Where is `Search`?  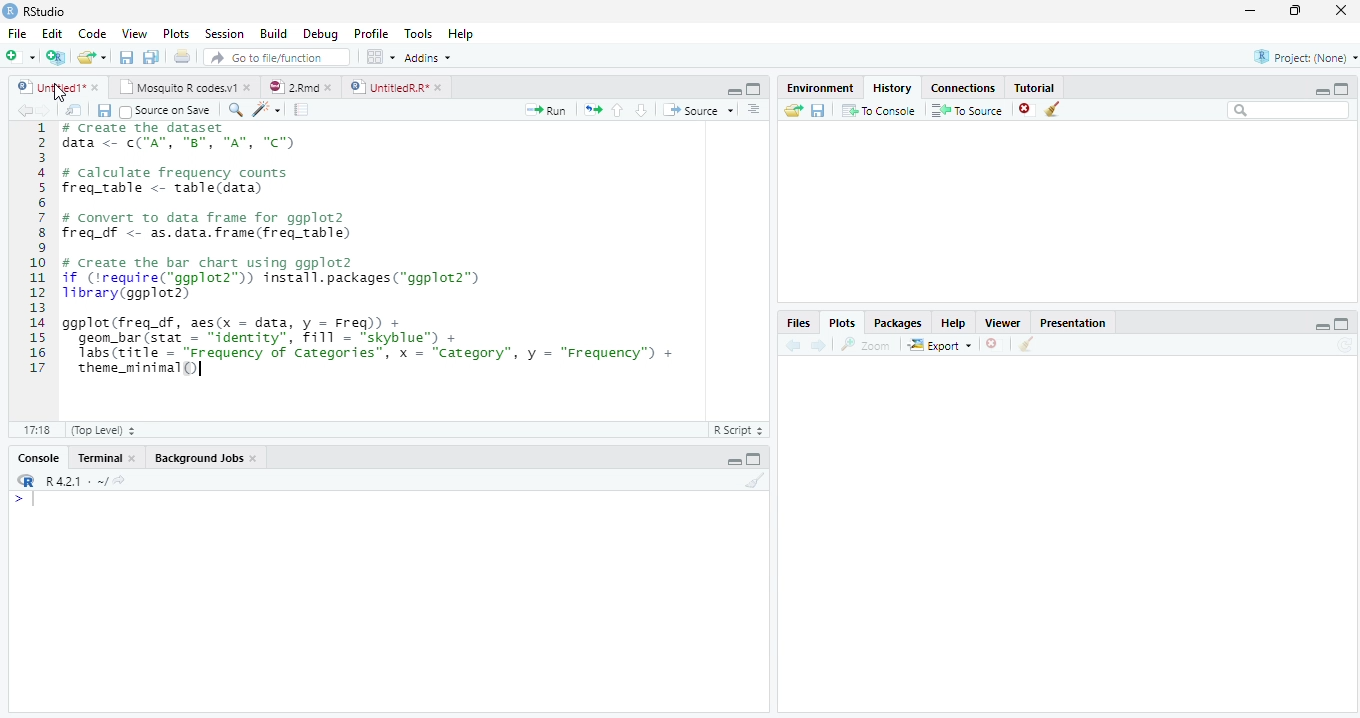 Search is located at coordinates (1289, 113).